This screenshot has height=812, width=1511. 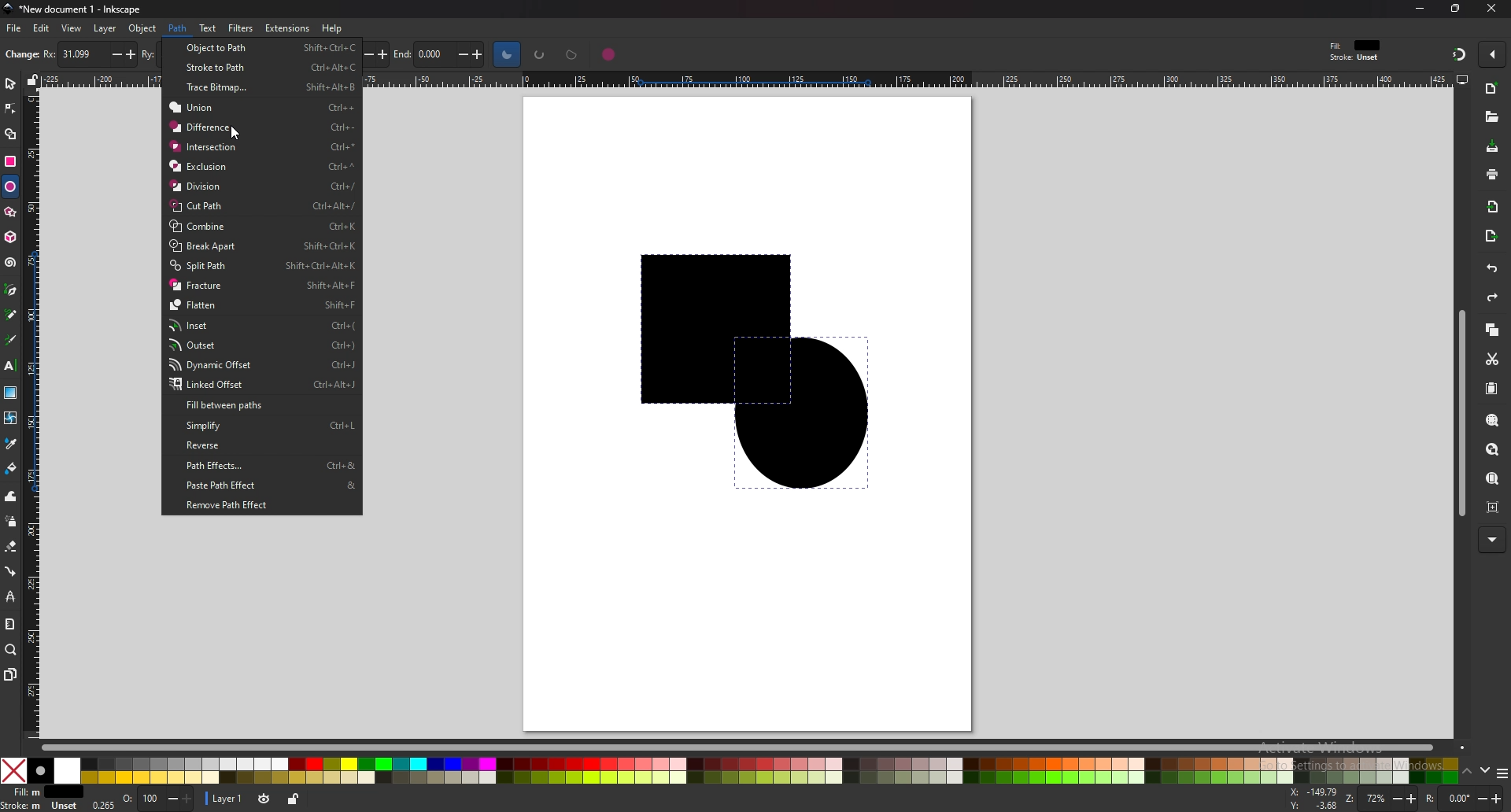 I want to click on new, so click(x=20, y=56).